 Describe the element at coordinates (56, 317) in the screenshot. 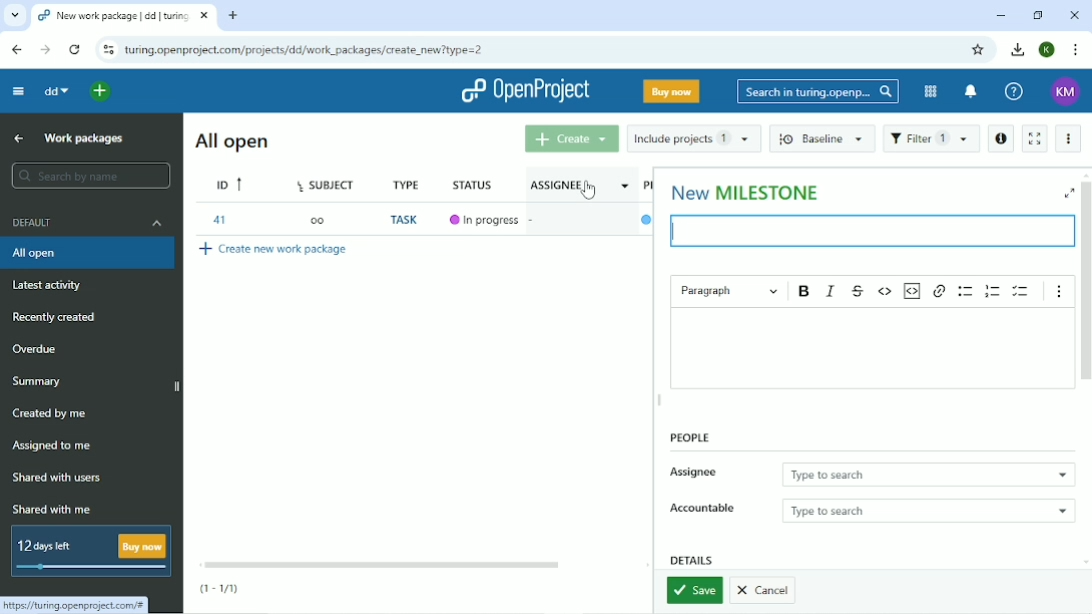

I see `Recently created` at that location.